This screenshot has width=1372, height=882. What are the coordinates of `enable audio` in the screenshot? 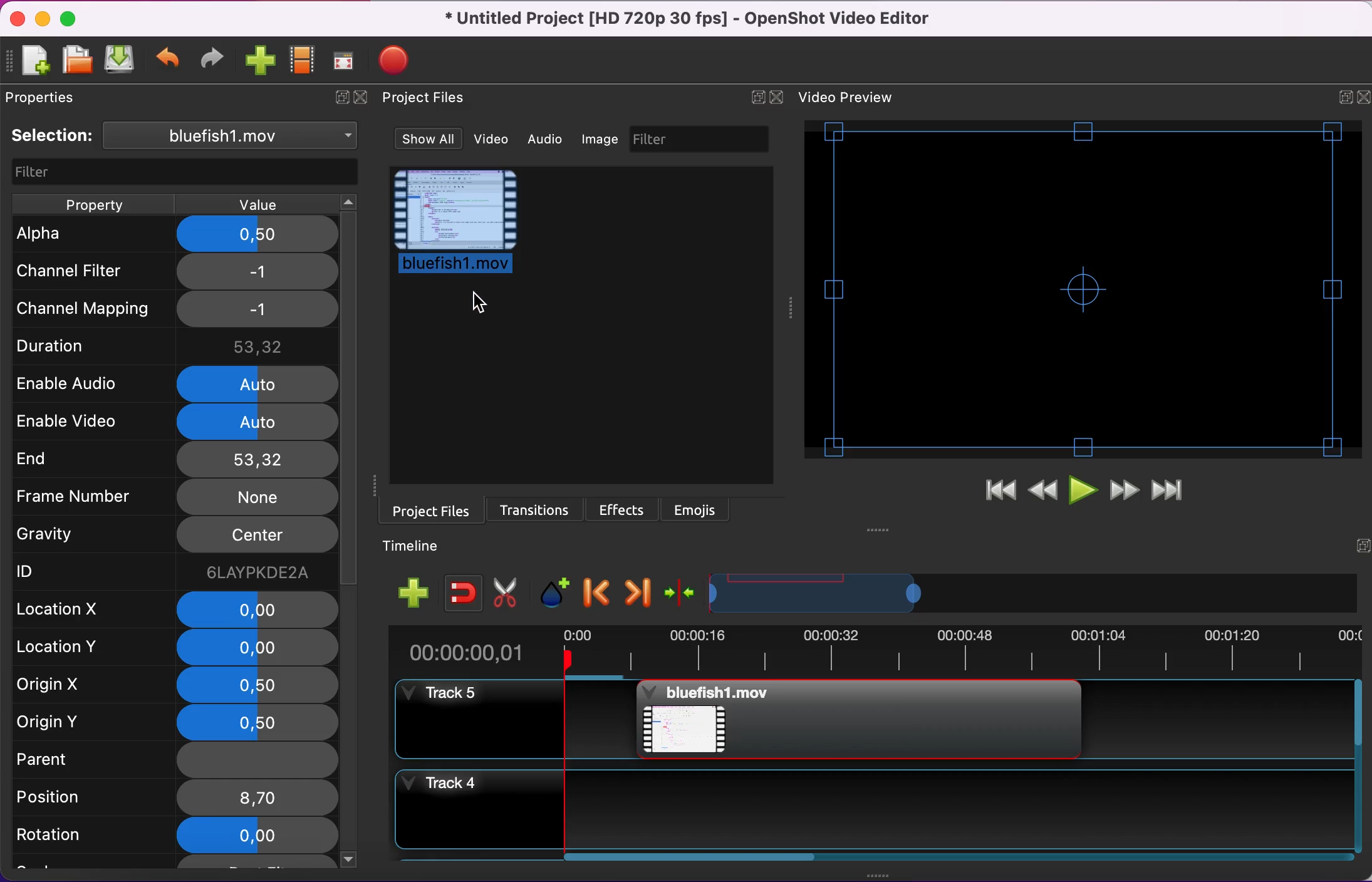 It's located at (93, 383).